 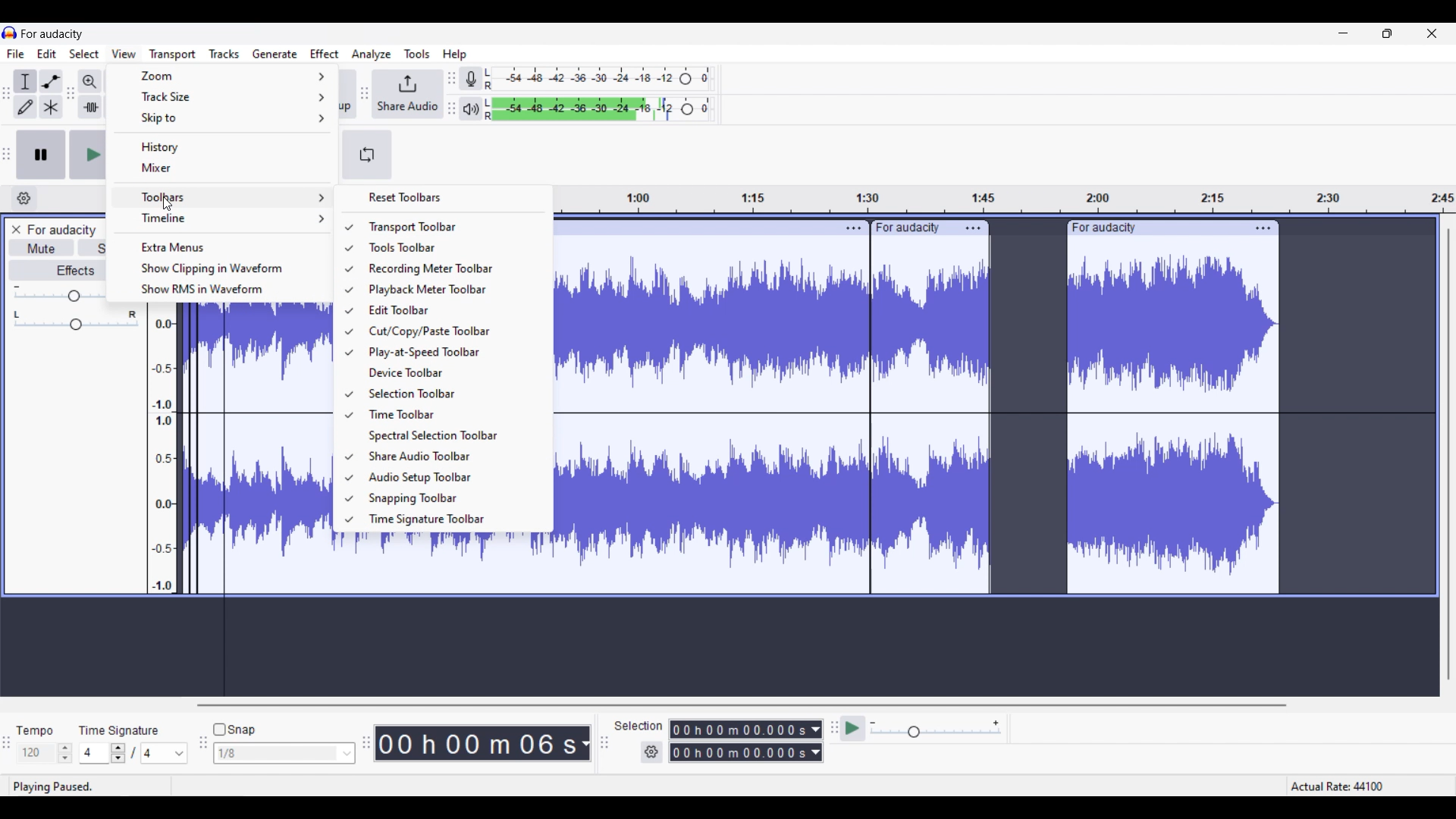 I want to click on View menu, so click(x=124, y=54).